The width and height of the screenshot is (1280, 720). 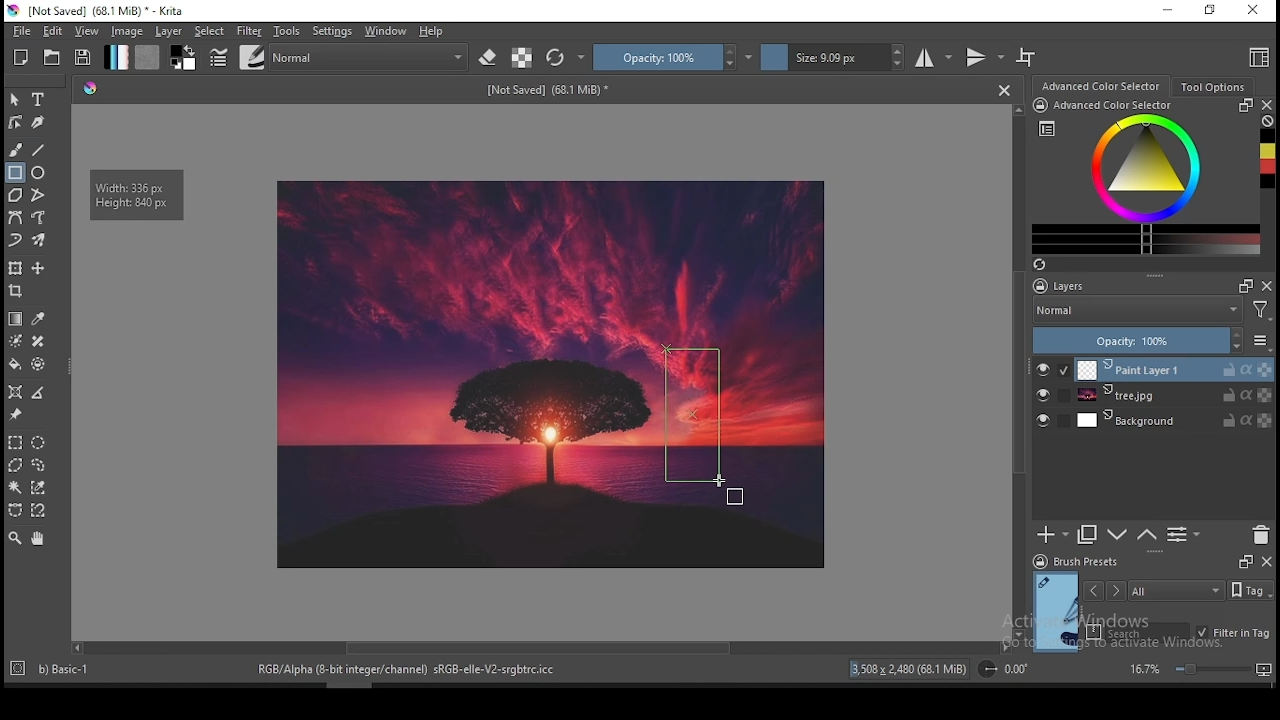 What do you see at coordinates (1054, 610) in the screenshot?
I see `preview` at bounding box center [1054, 610].